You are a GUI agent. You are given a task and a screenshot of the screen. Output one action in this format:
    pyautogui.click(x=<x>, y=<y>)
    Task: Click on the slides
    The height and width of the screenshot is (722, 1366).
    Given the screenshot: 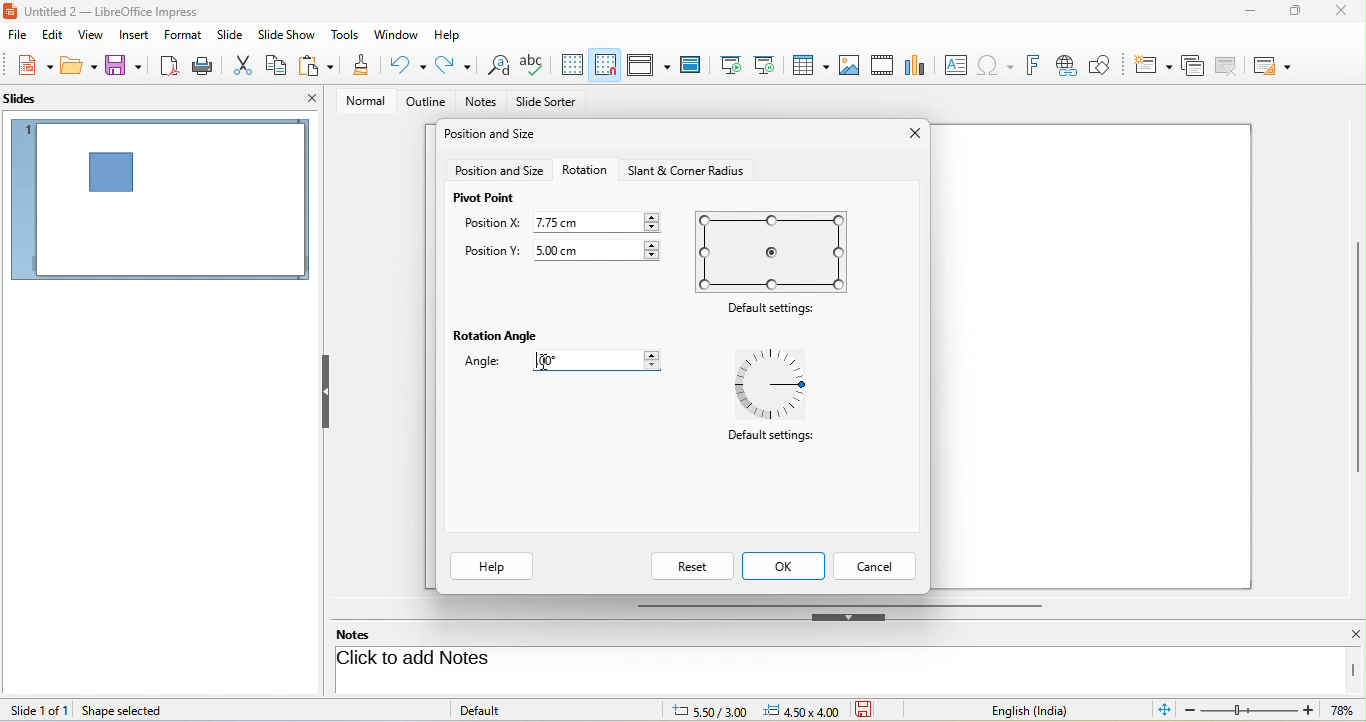 What is the action you would take?
    pyautogui.click(x=31, y=100)
    